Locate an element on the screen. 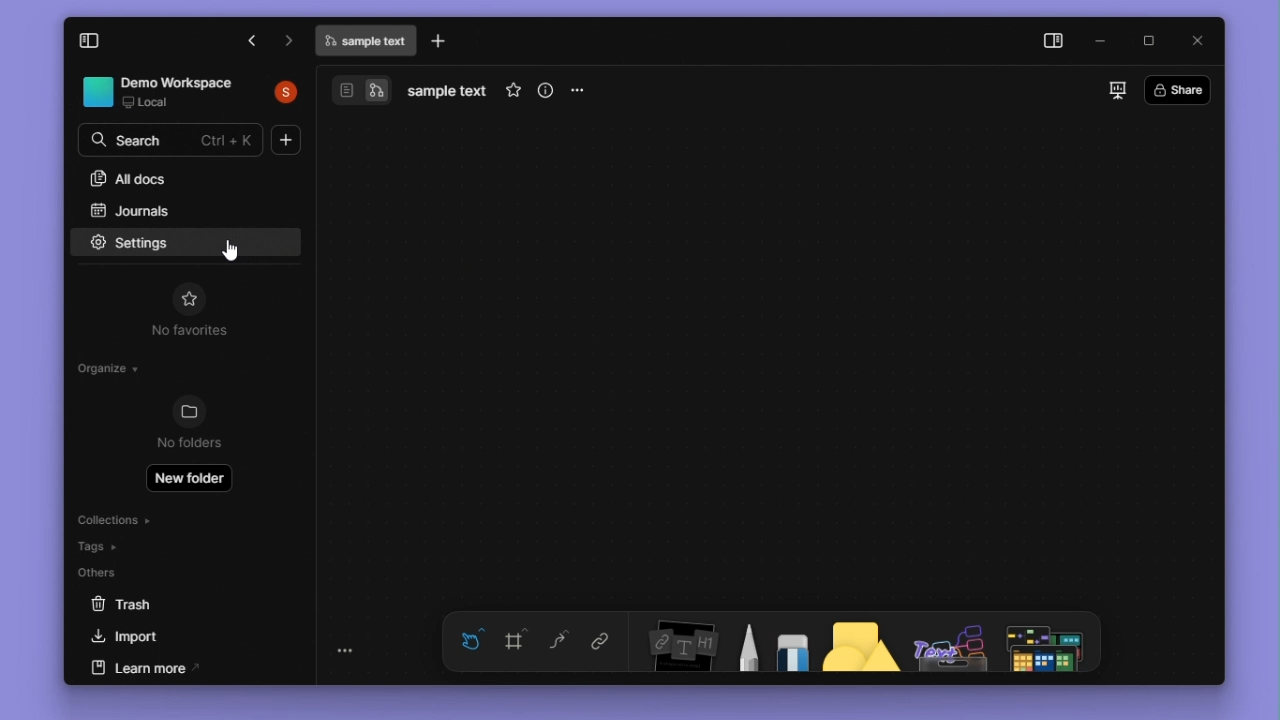 This screenshot has height=720, width=1280. Note is located at coordinates (677, 640).